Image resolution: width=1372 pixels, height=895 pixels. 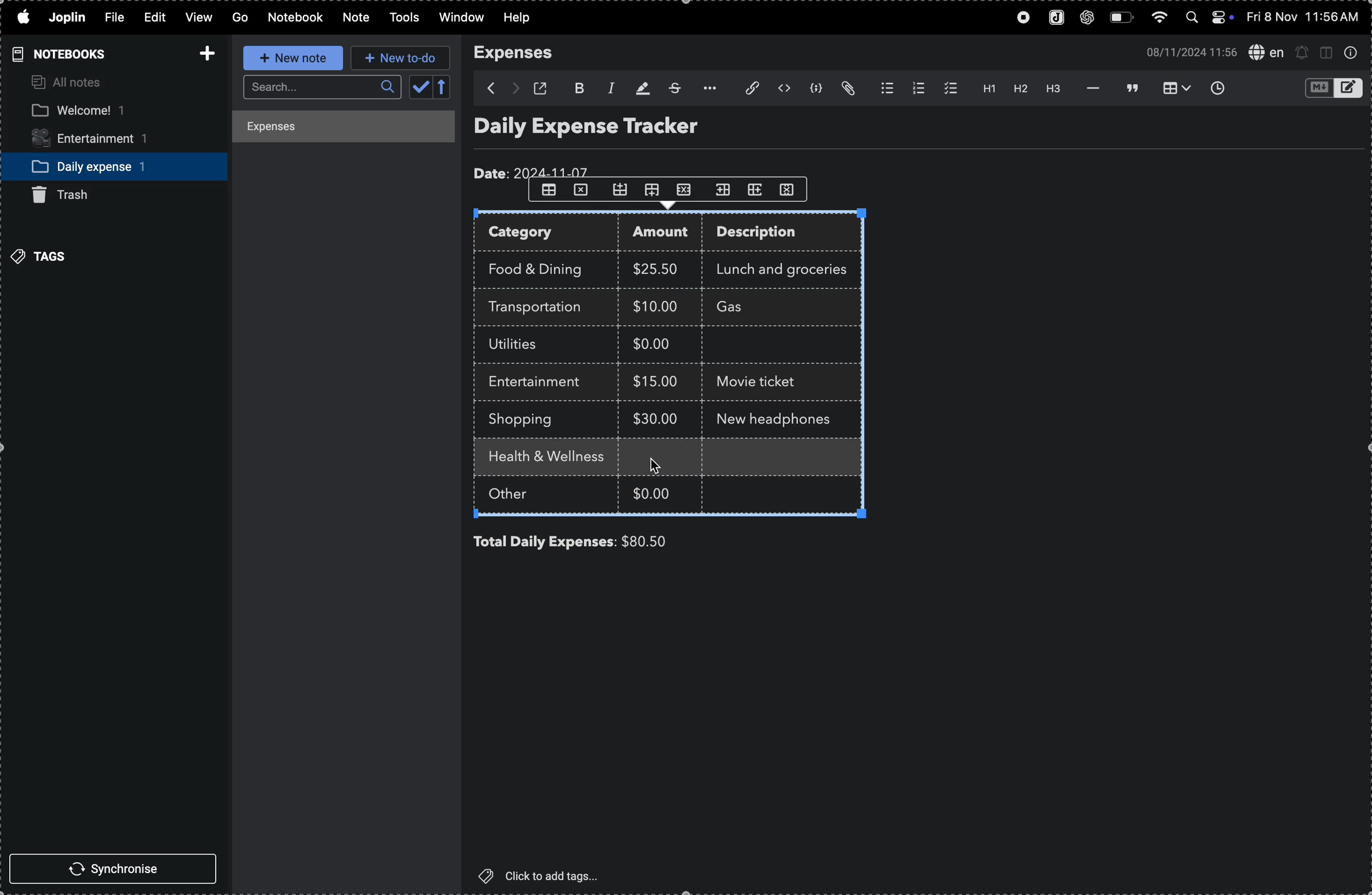 What do you see at coordinates (524, 18) in the screenshot?
I see `help` at bounding box center [524, 18].